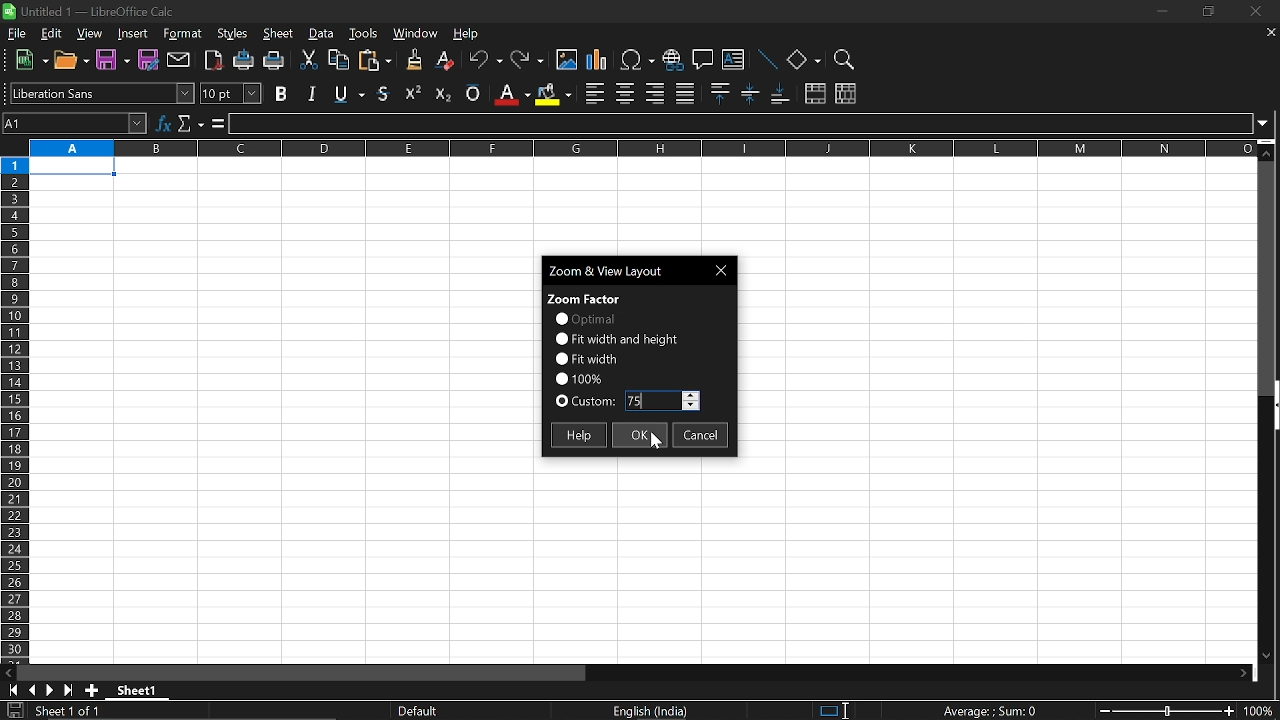 The width and height of the screenshot is (1280, 720). What do you see at coordinates (766, 61) in the screenshot?
I see `line ` at bounding box center [766, 61].